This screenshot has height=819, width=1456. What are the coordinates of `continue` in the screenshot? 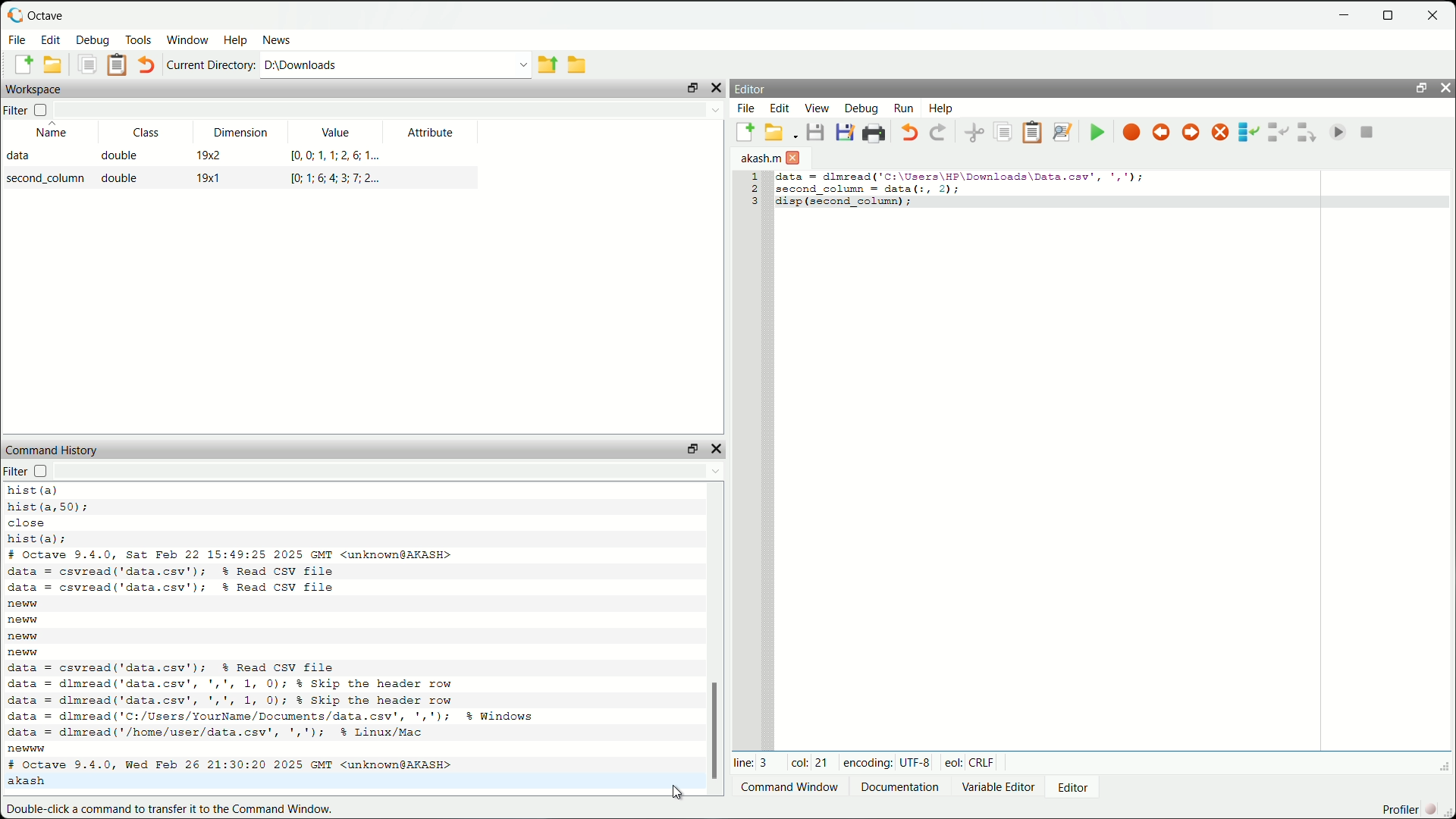 It's located at (1341, 129).